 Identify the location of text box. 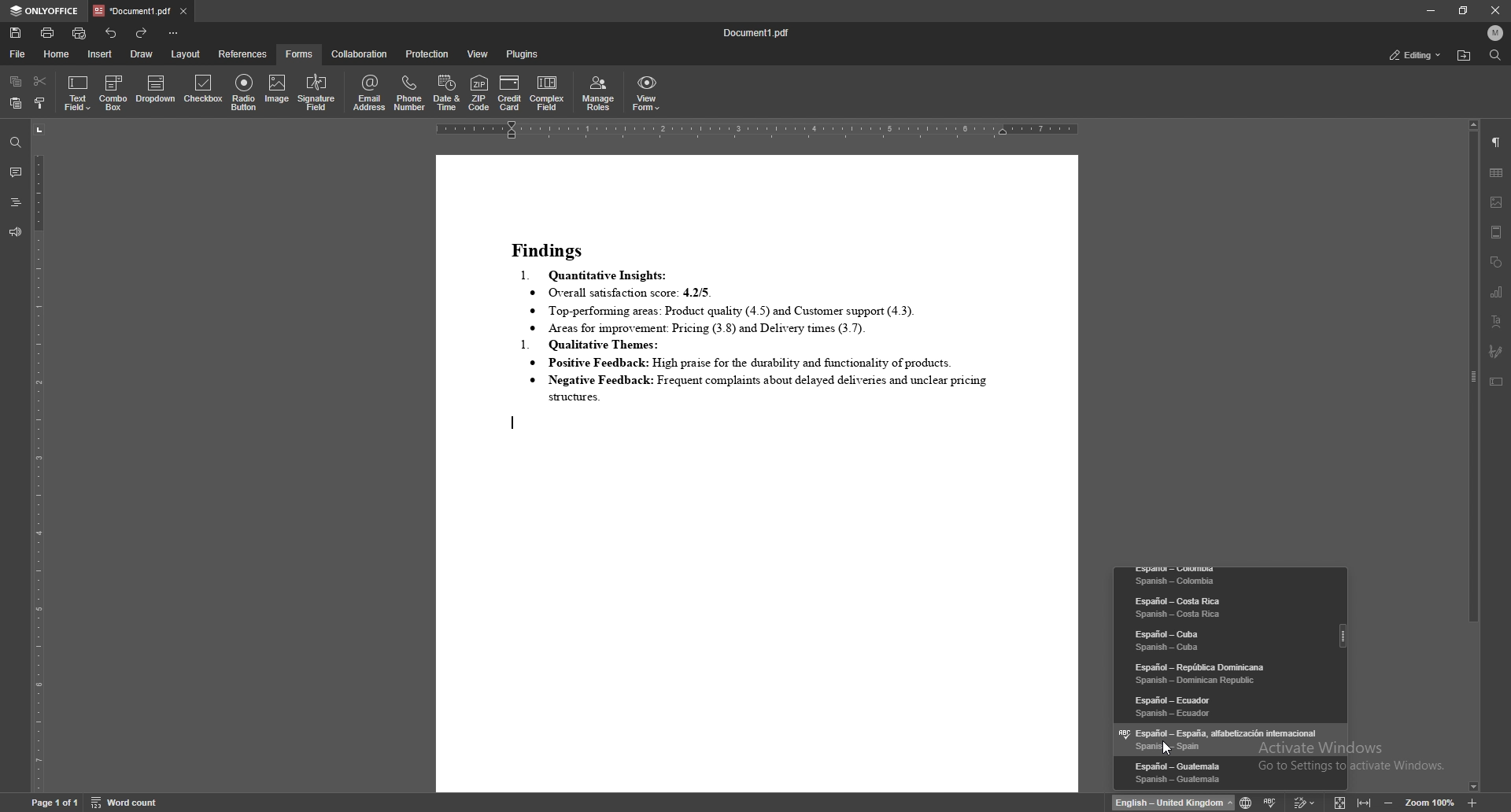
(1496, 382).